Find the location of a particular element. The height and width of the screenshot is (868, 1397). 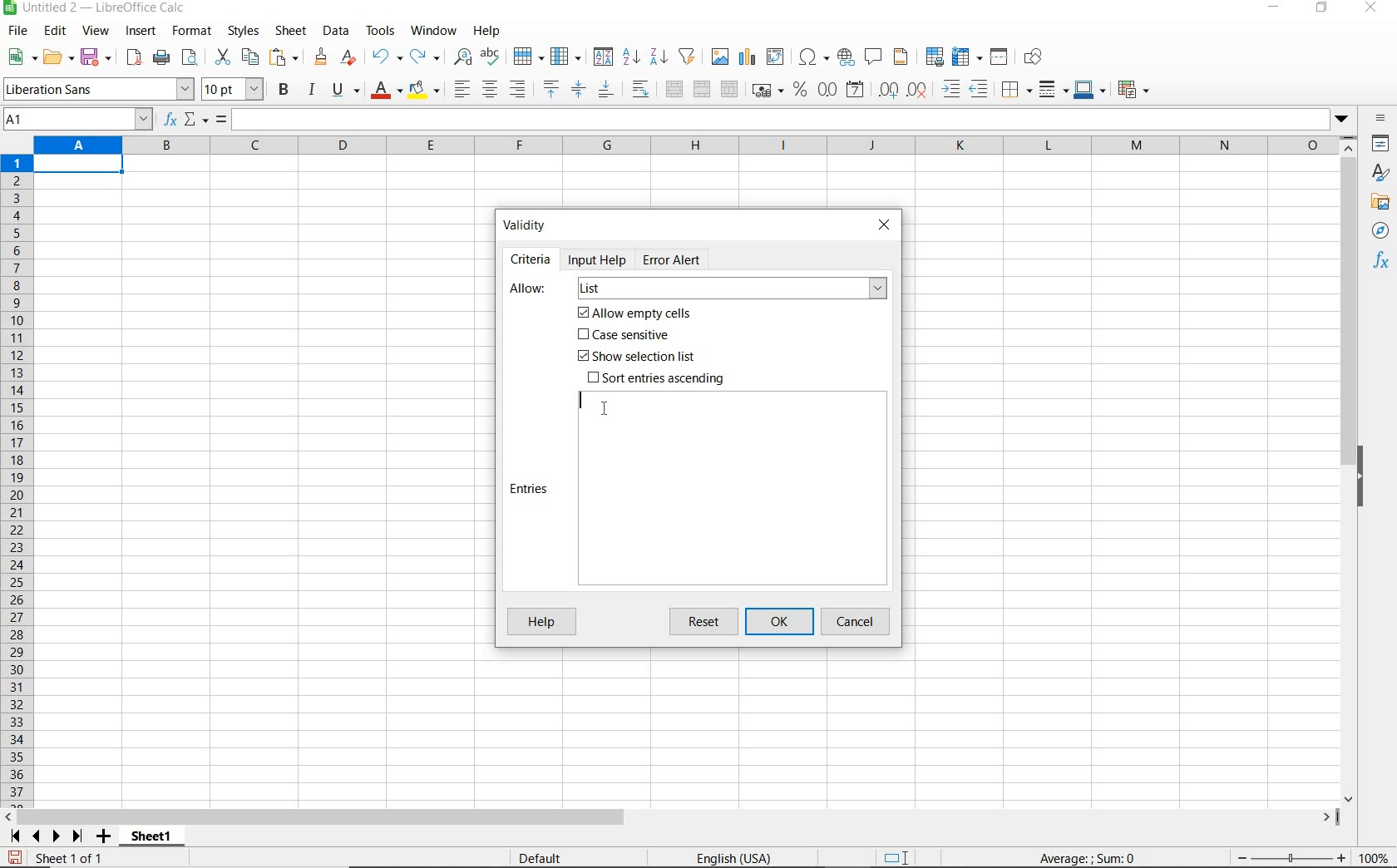

standard selection is located at coordinates (897, 859).